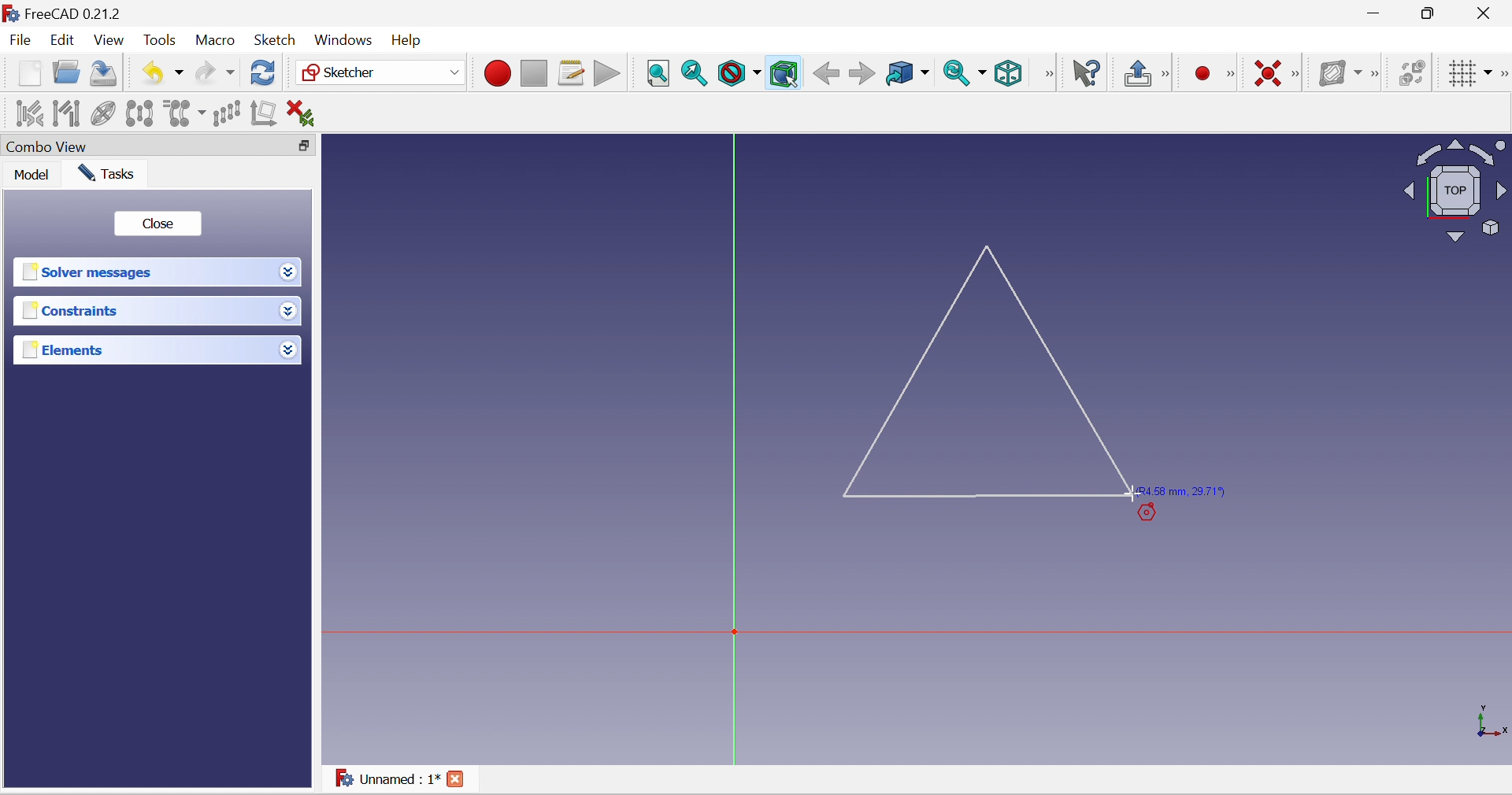 The width and height of the screenshot is (1512, 795). What do you see at coordinates (738, 74) in the screenshot?
I see `Draw style` at bounding box center [738, 74].